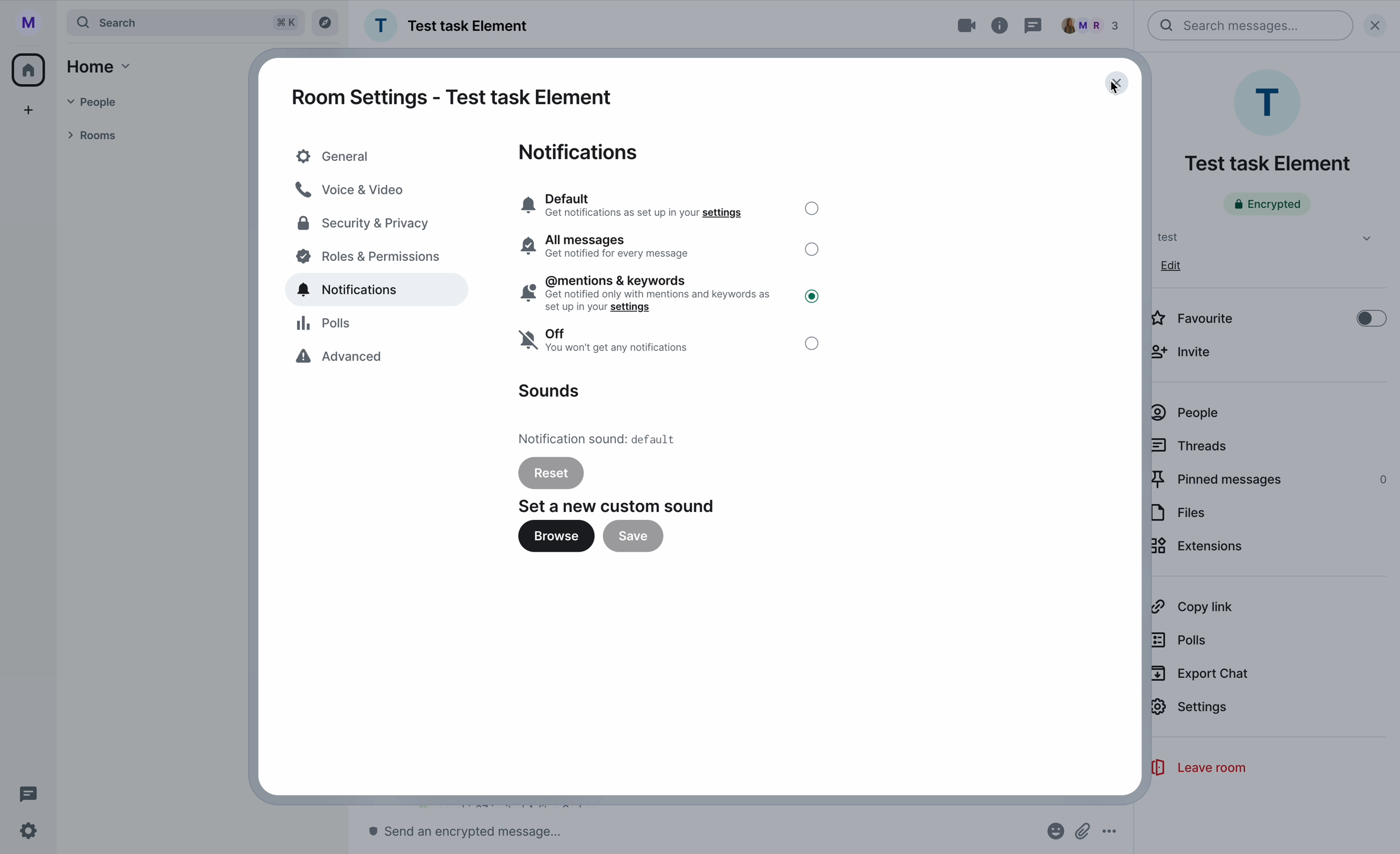 This screenshot has width=1400, height=854. What do you see at coordinates (31, 68) in the screenshot?
I see `home icon` at bounding box center [31, 68].